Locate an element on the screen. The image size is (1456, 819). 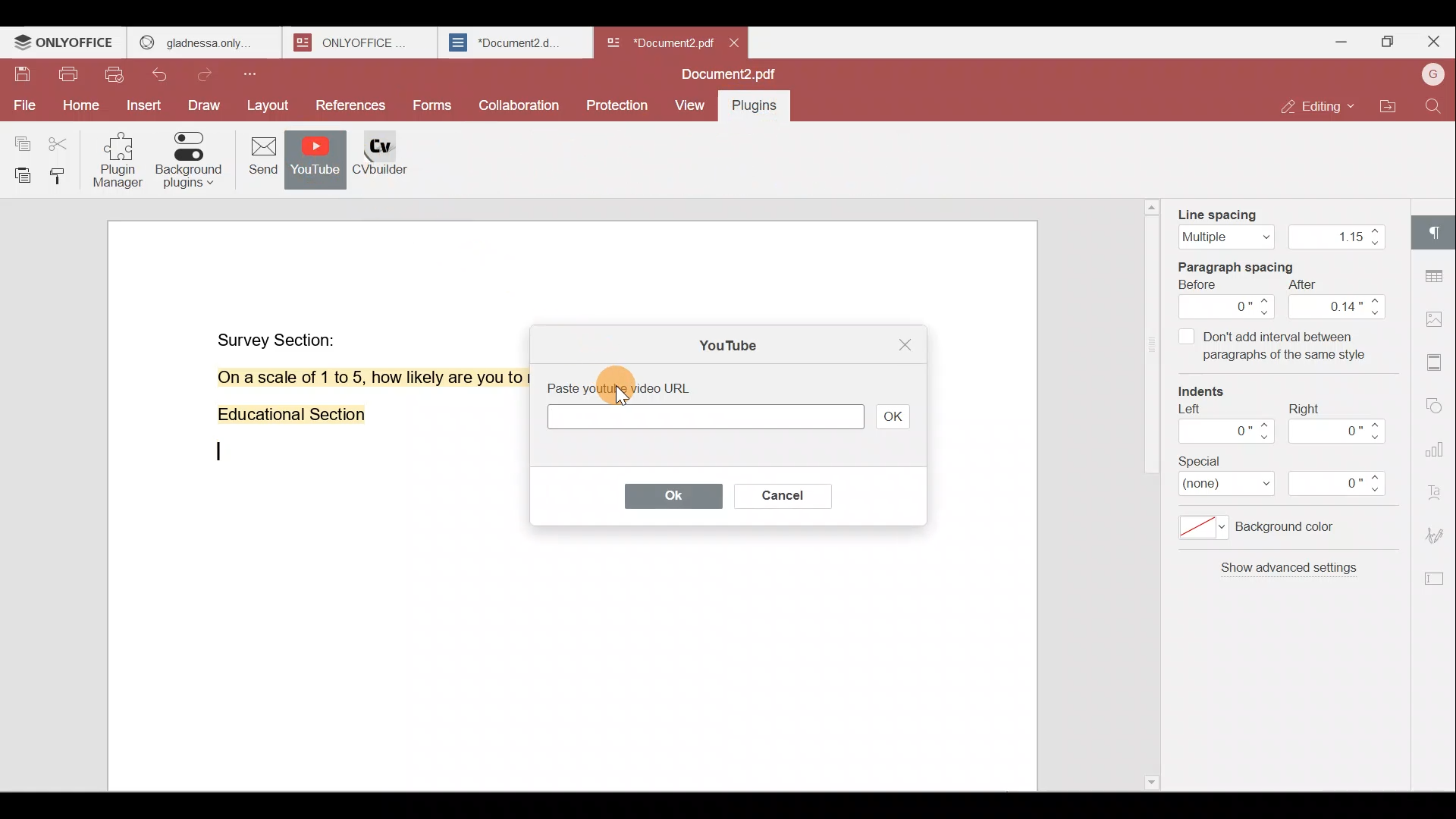
Document2.d is located at coordinates (514, 43).